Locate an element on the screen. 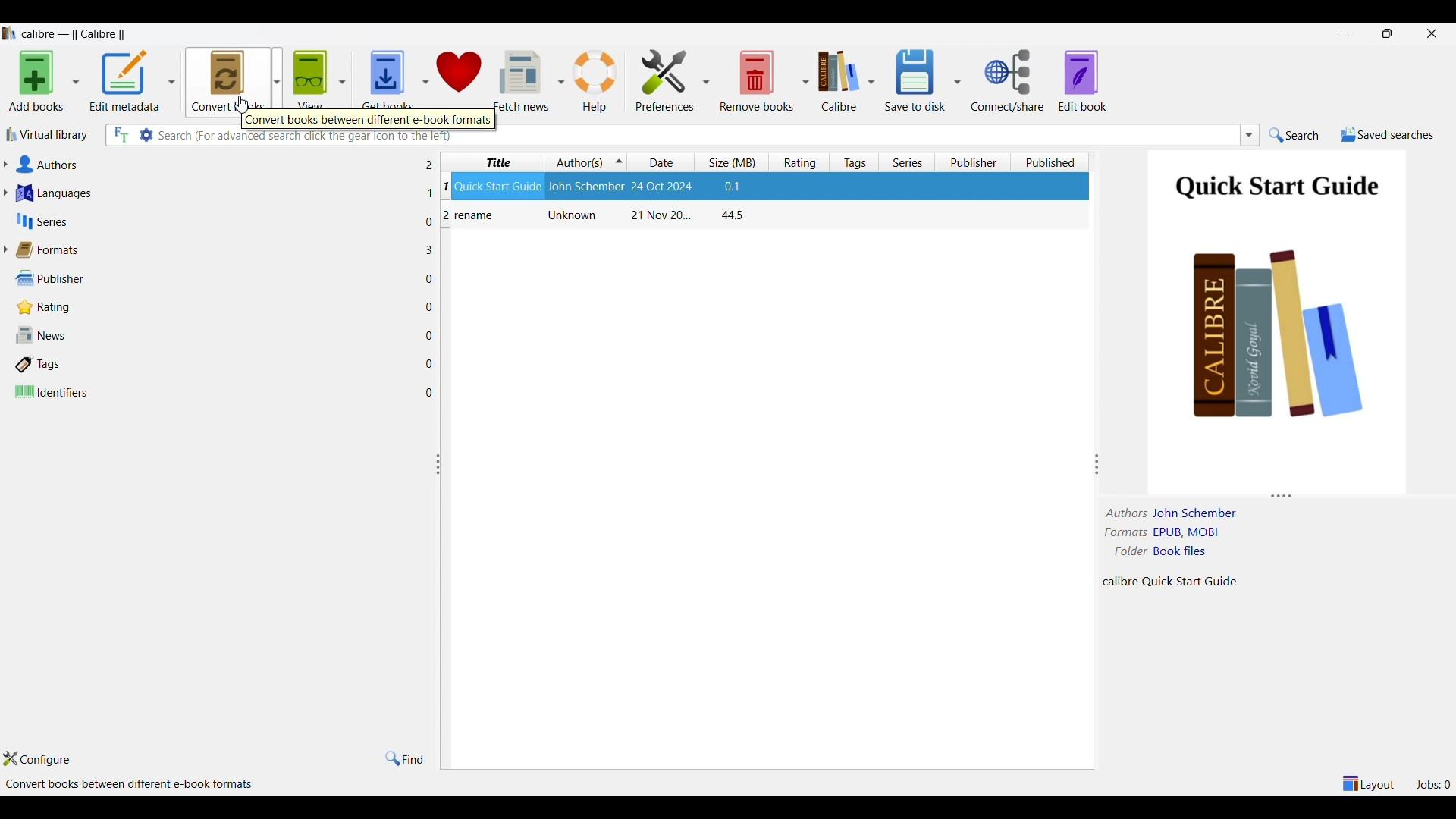 This screenshot has height=819, width=1456. Save options is located at coordinates (956, 81).